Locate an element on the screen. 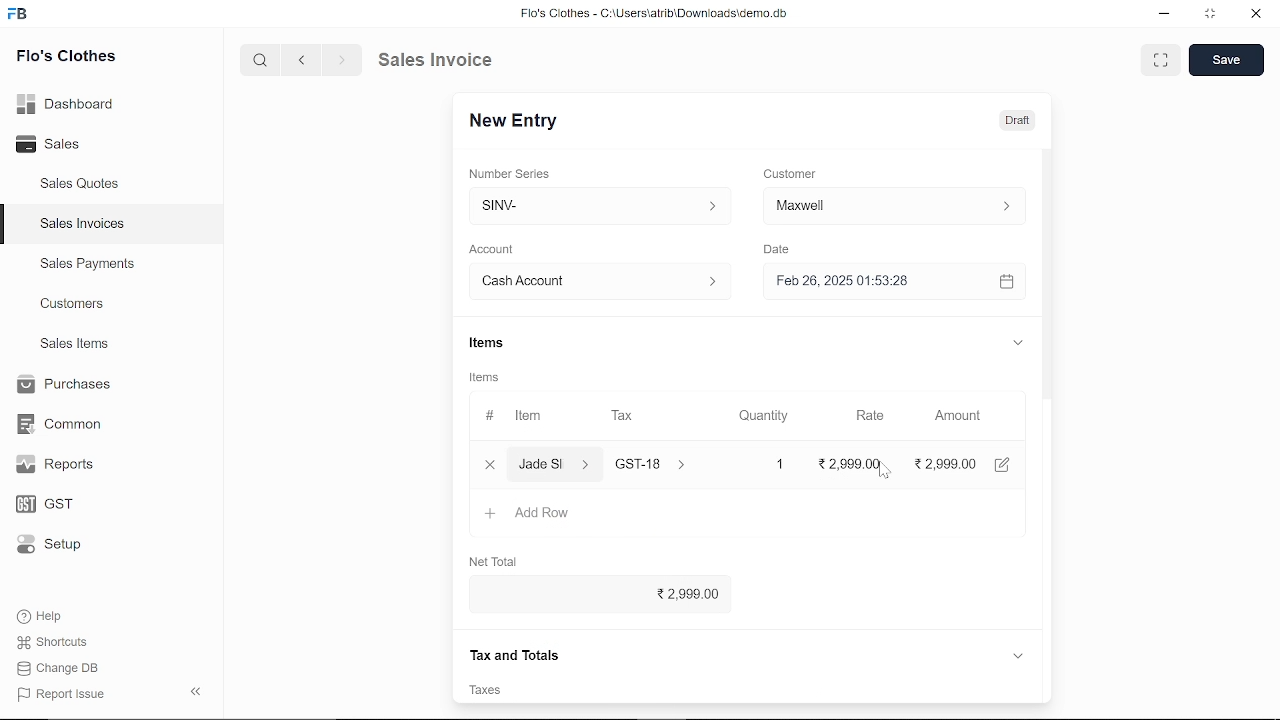  minimize is located at coordinates (1166, 16).